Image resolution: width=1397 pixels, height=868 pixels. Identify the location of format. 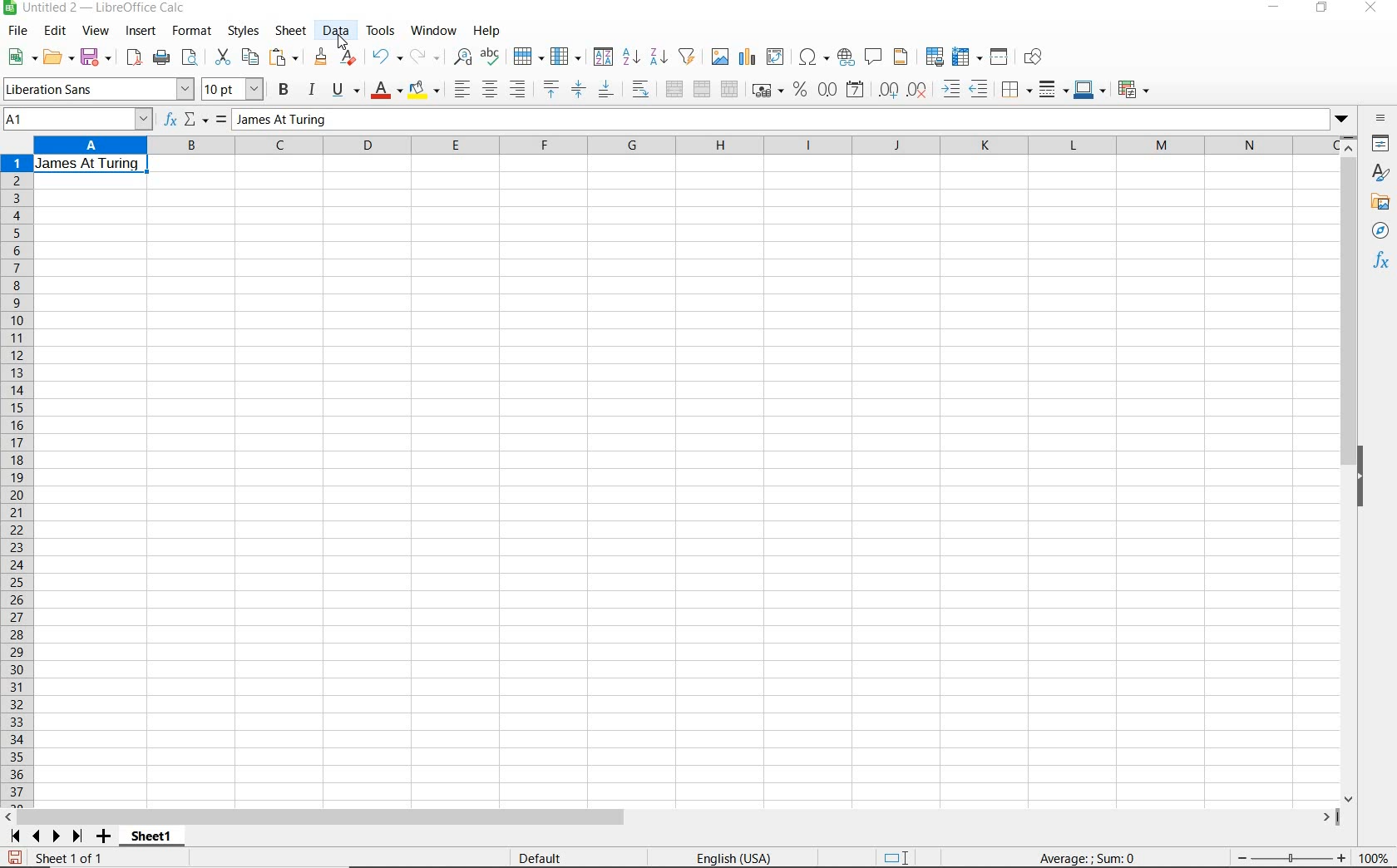
(193, 33).